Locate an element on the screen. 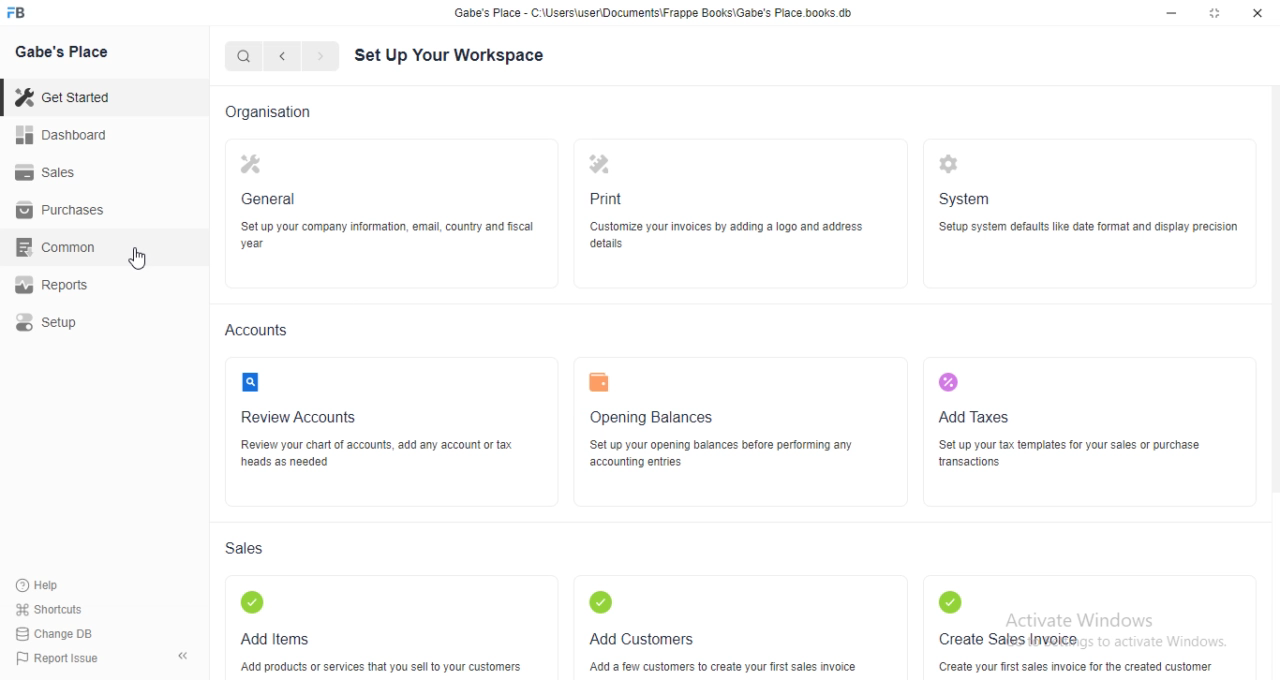 This screenshot has width=1280, height=680. Close is located at coordinates (1254, 14).